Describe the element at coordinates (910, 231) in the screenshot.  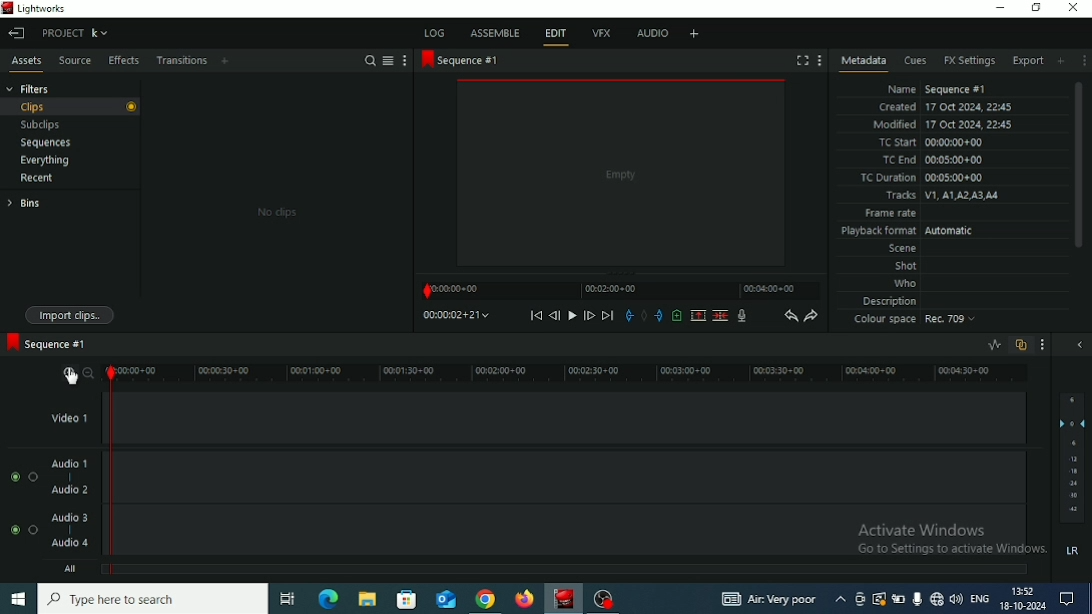
I see `Playback format` at that location.